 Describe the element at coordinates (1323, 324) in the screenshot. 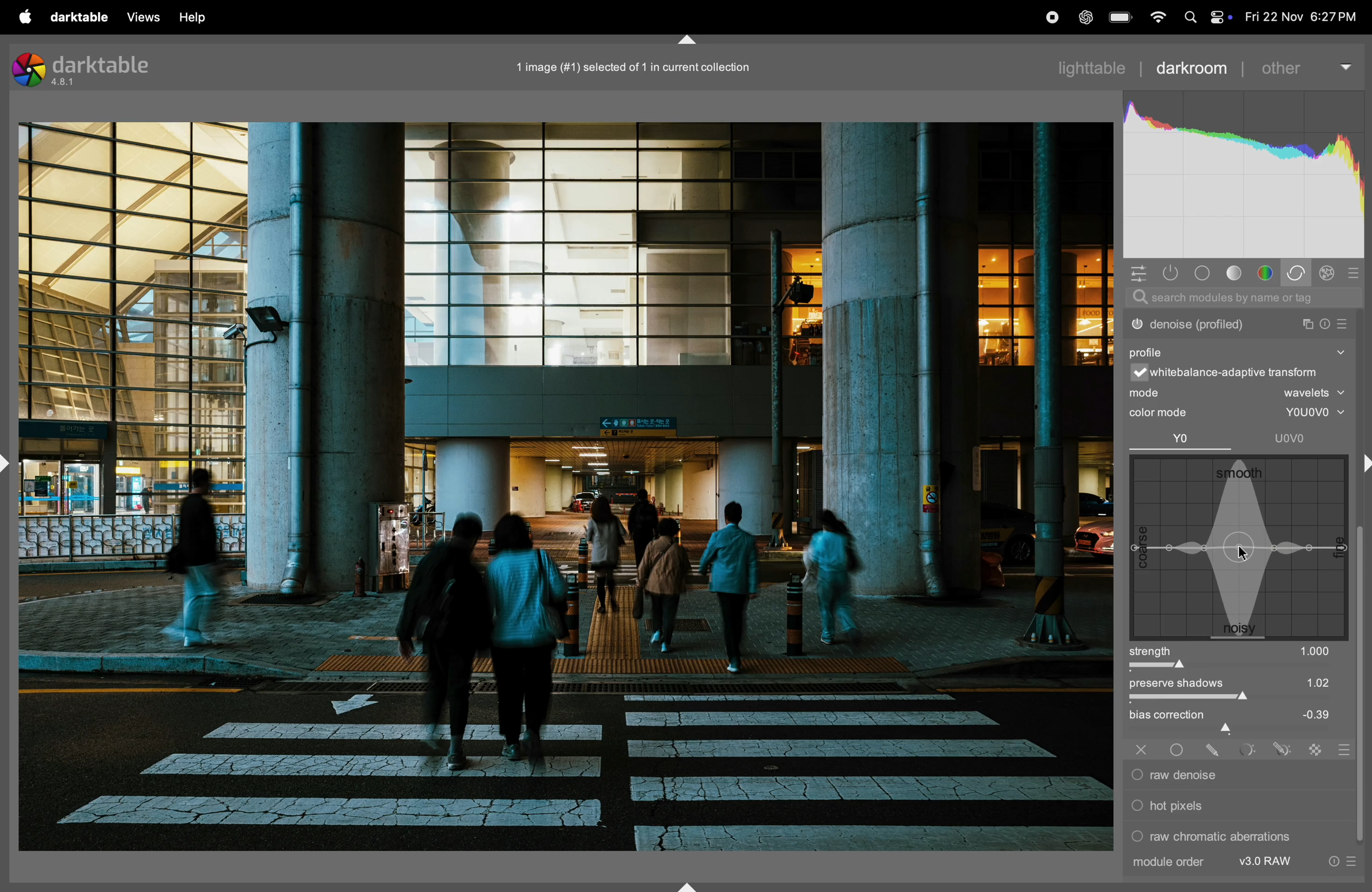

I see `reset` at that location.